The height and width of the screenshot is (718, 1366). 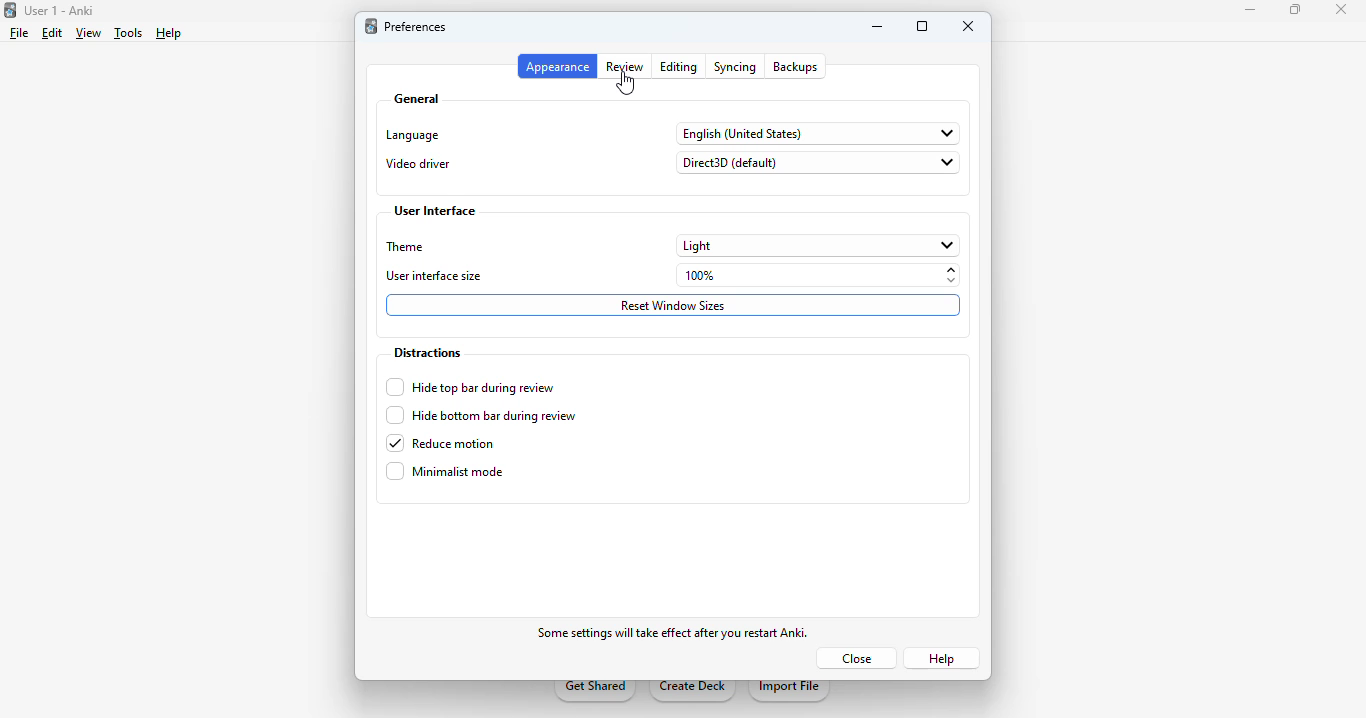 I want to click on English(United States), so click(x=817, y=134).